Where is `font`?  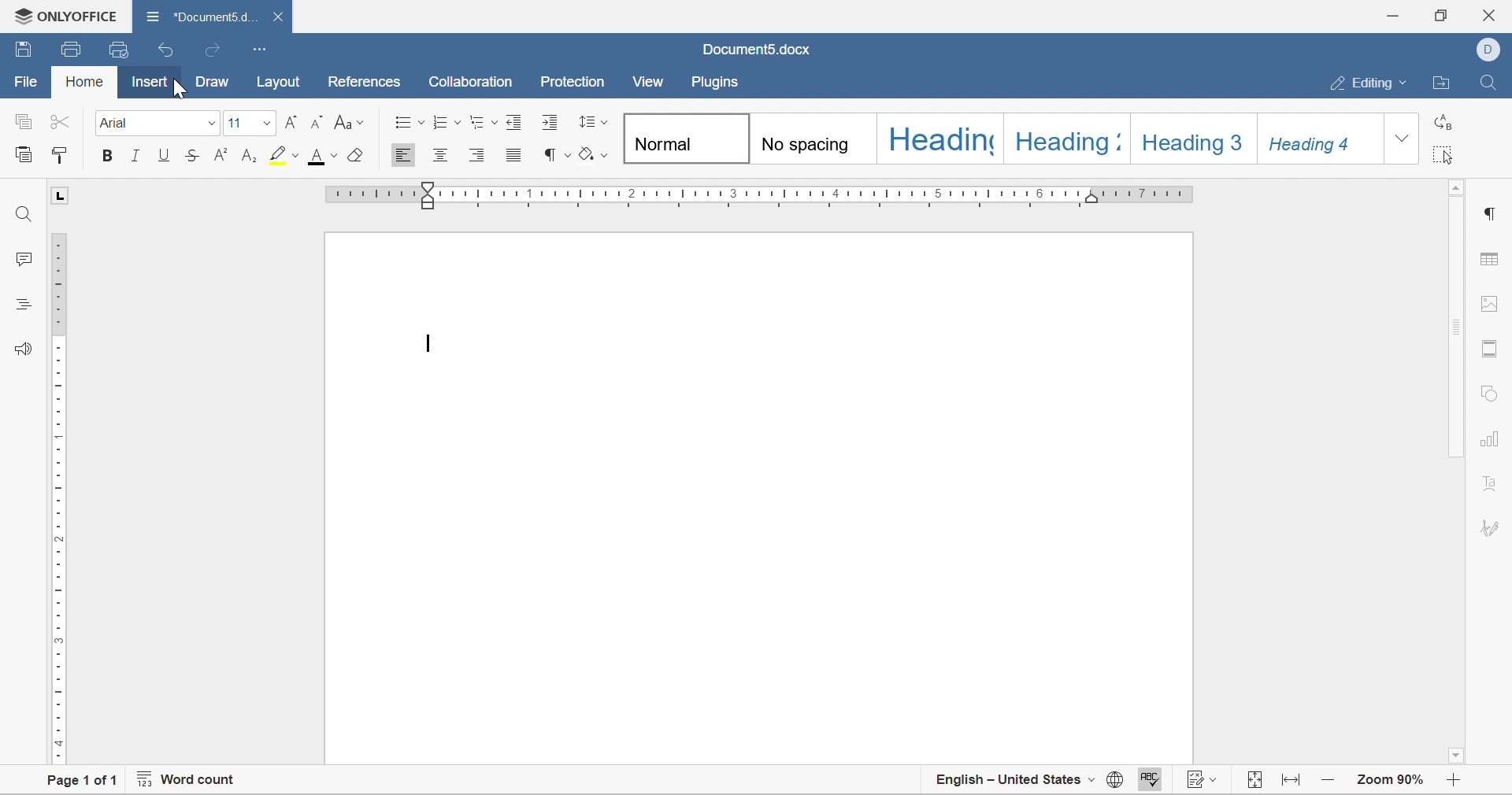 font is located at coordinates (157, 124).